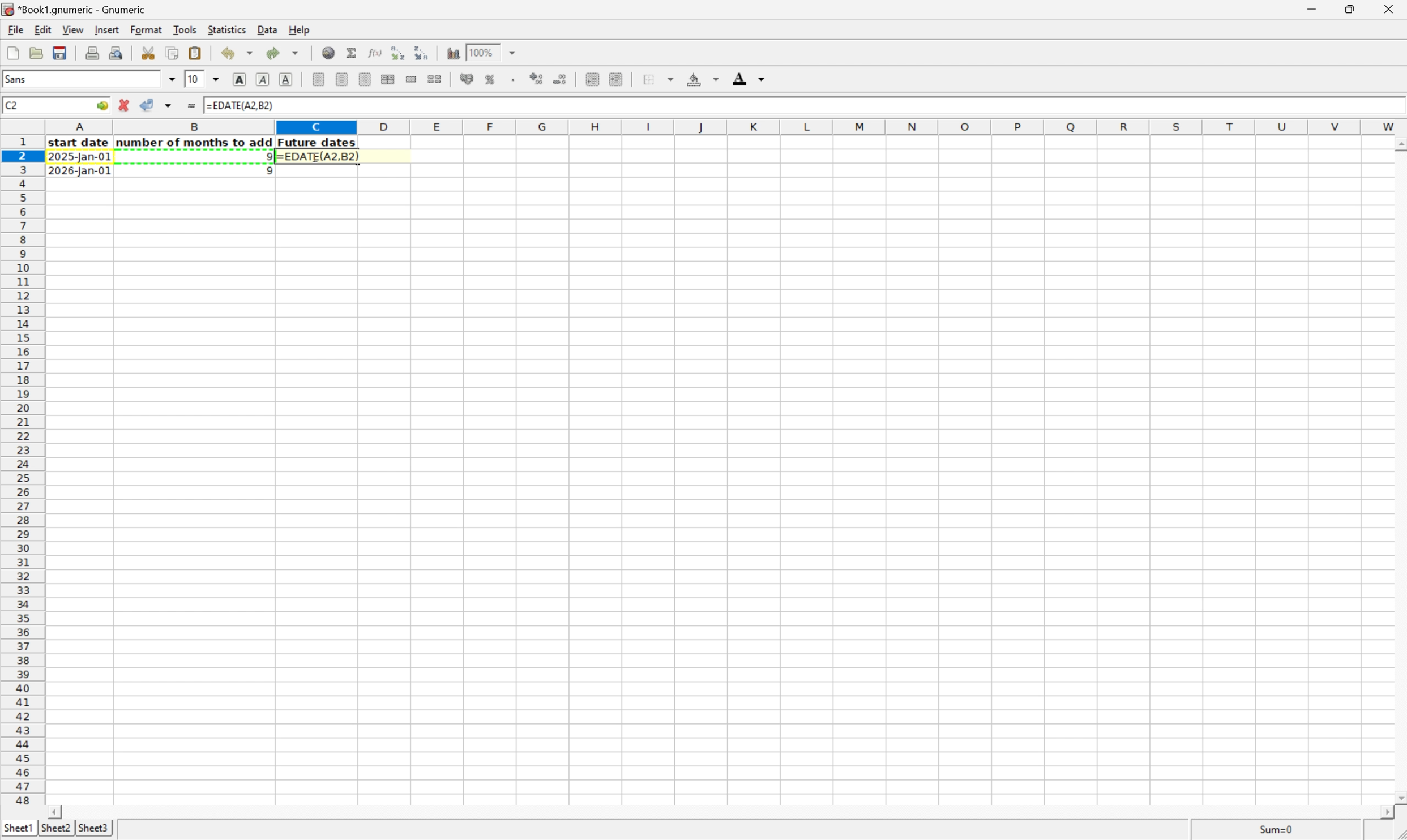 The image size is (1407, 840). What do you see at coordinates (1383, 812) in the screenshot?
I see `Scroll Right` at bounding box center [1383, 812].